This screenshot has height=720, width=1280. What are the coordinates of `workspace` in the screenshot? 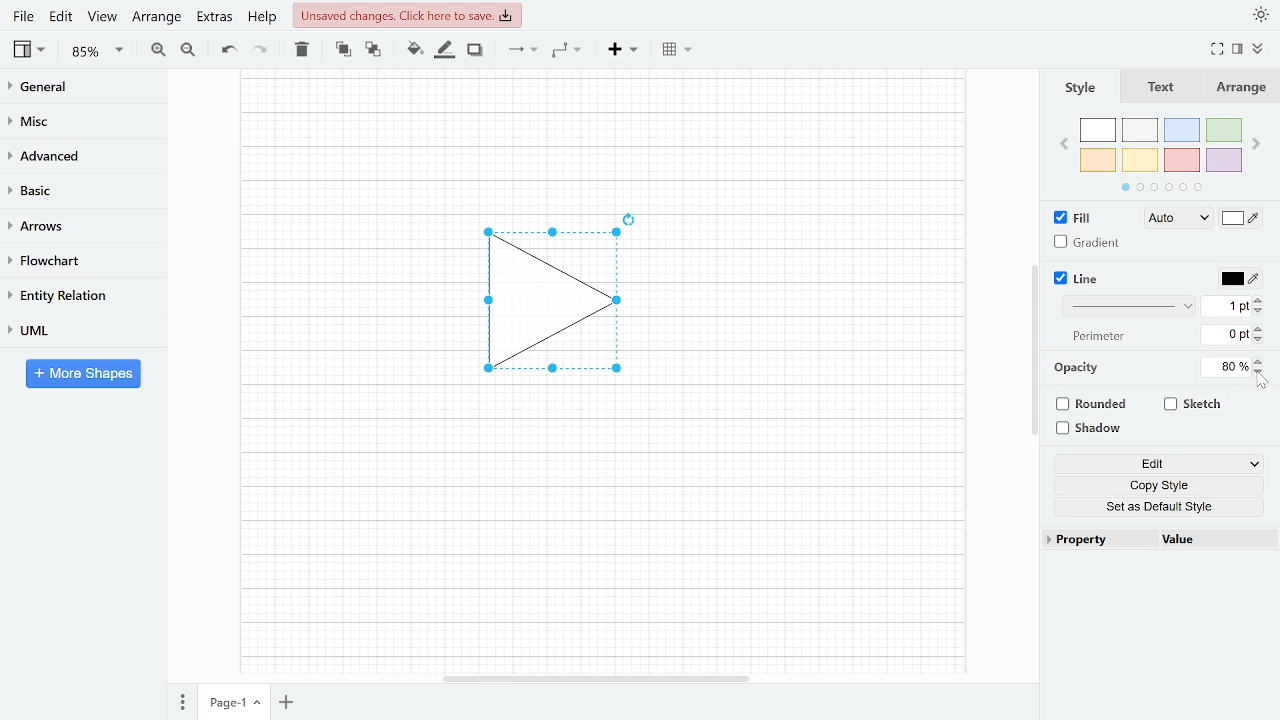 It's located at (602, 135).